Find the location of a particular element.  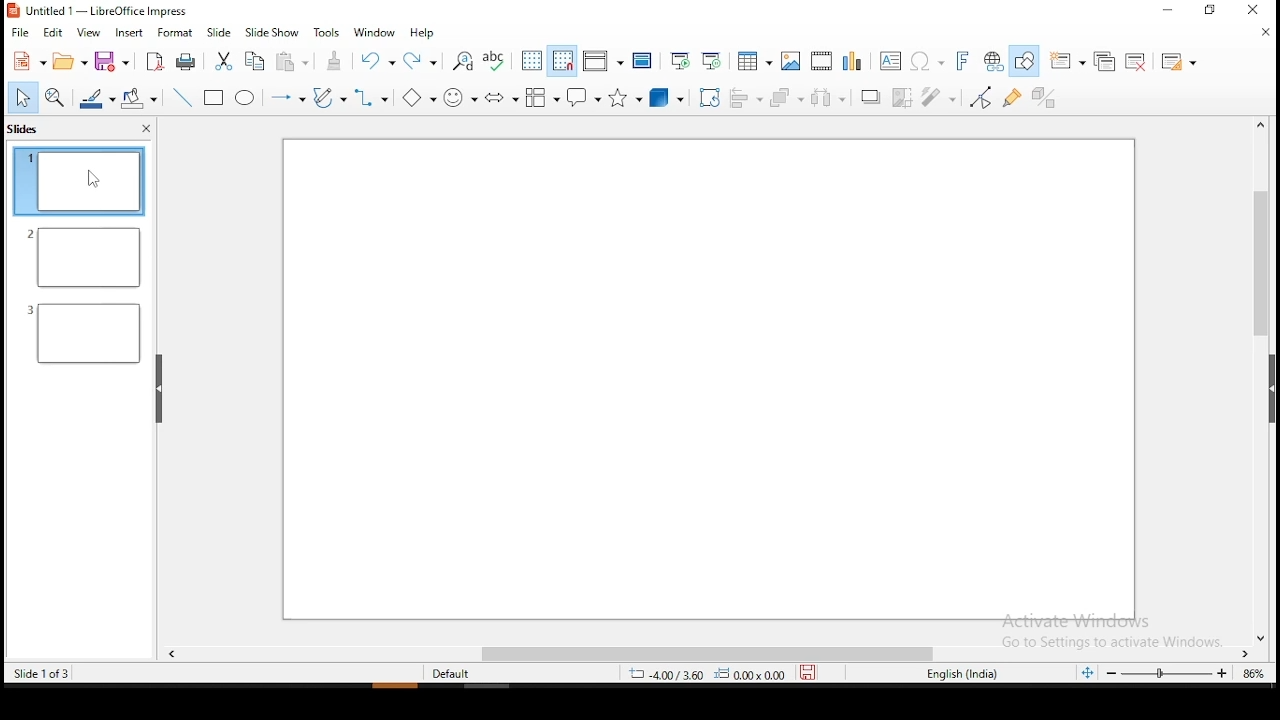

 is located at coordinates (501, 99).